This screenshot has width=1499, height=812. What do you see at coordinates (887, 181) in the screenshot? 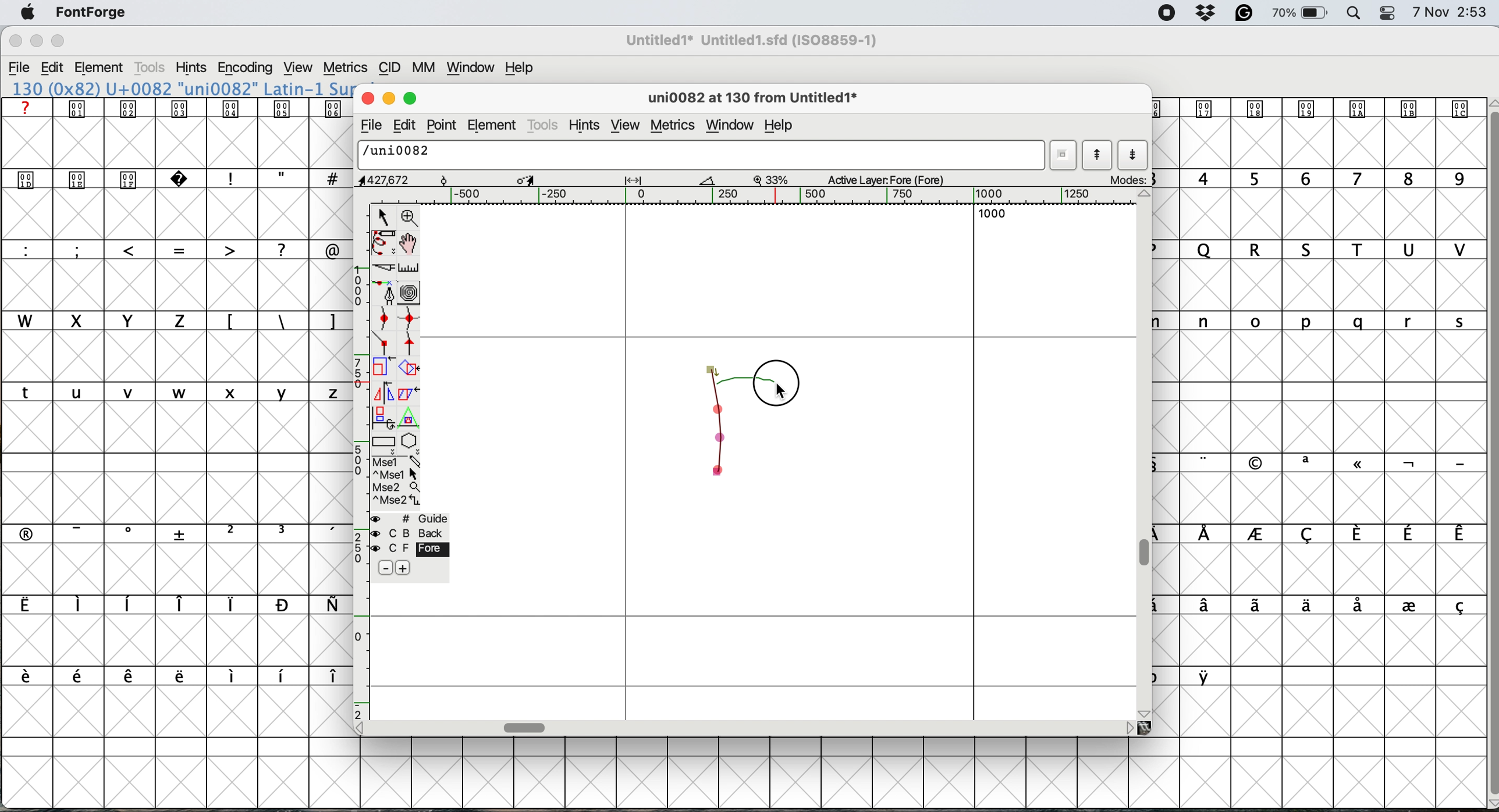
I see `active layers` at bounding box center [887, 181].